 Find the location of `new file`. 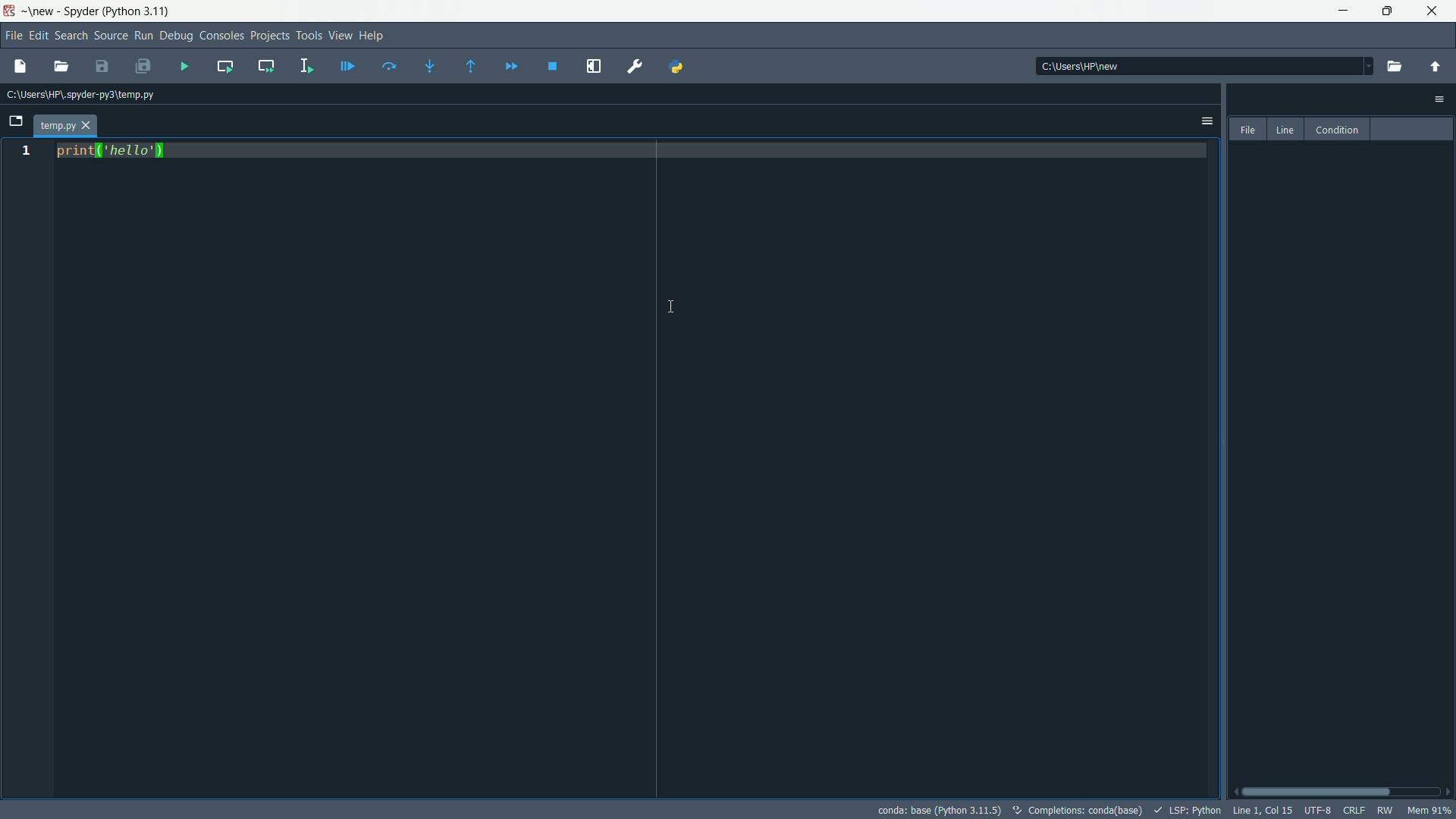

new file is located at coordinates (20, 67).